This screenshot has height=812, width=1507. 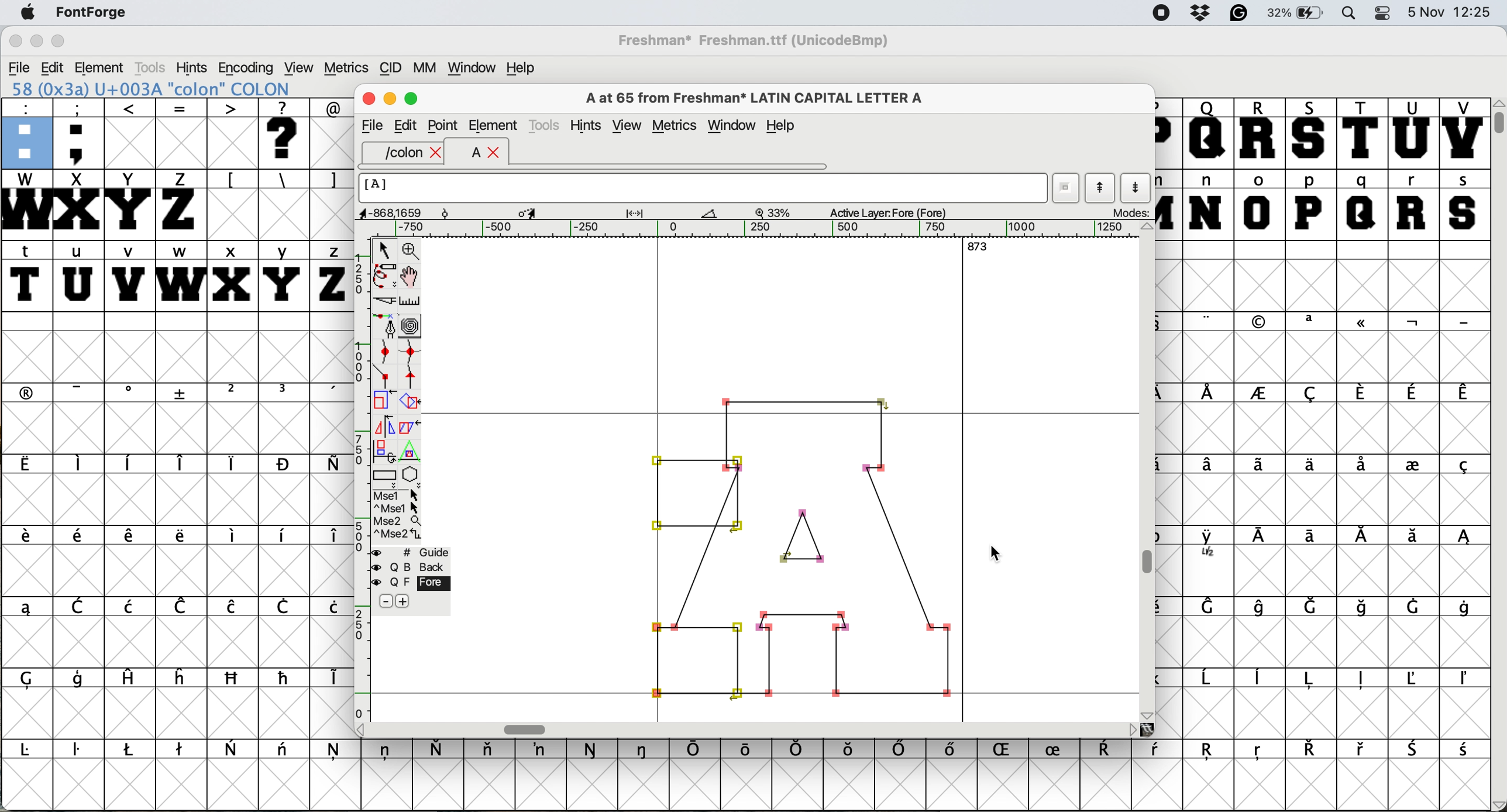 What do you see at coordinates (546, 125) in the screenshot?
I see `tools` at bounding box center [546, 125].